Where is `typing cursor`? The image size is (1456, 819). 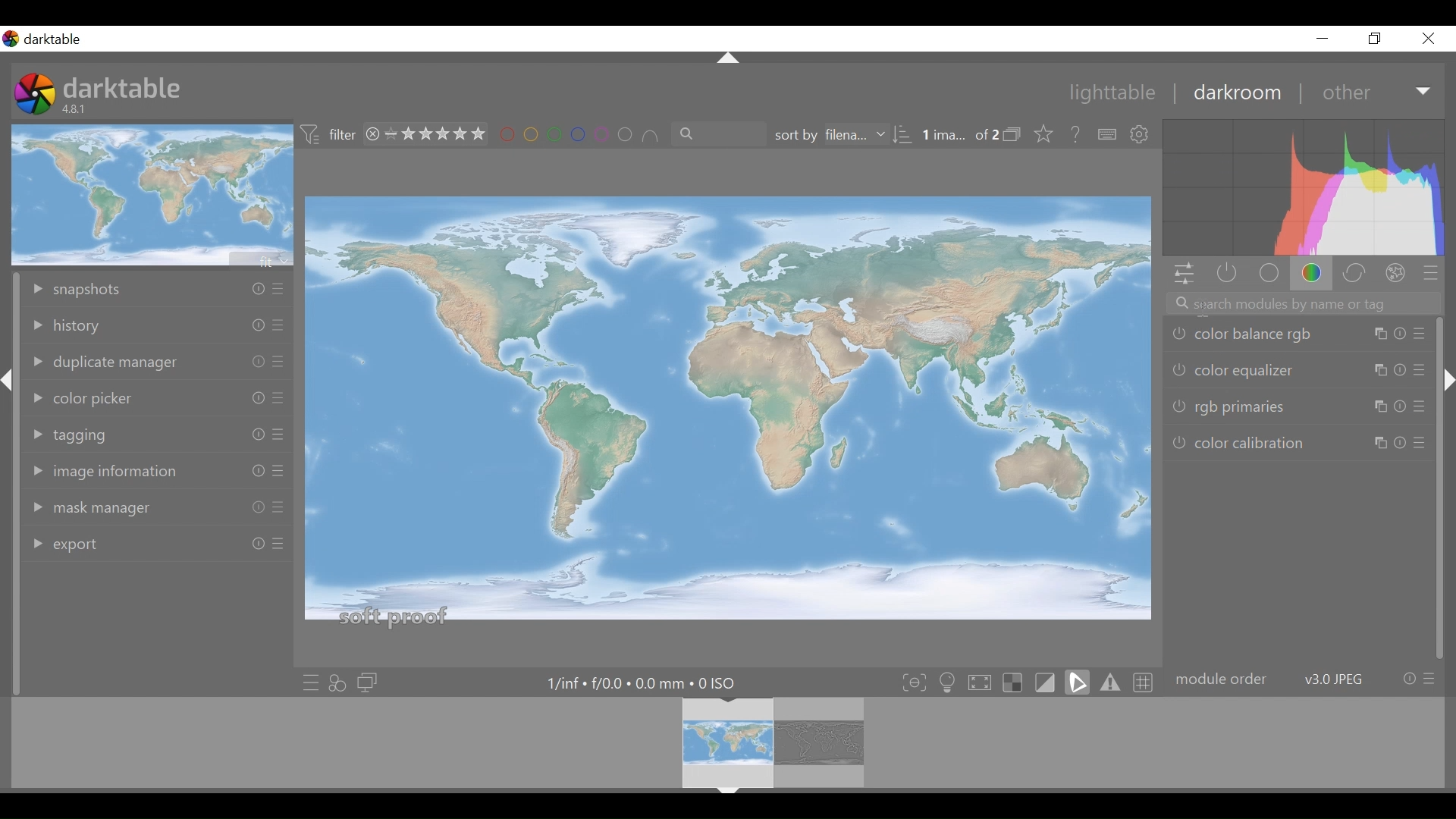 typing cursor is located at coordinates (1209, 309).